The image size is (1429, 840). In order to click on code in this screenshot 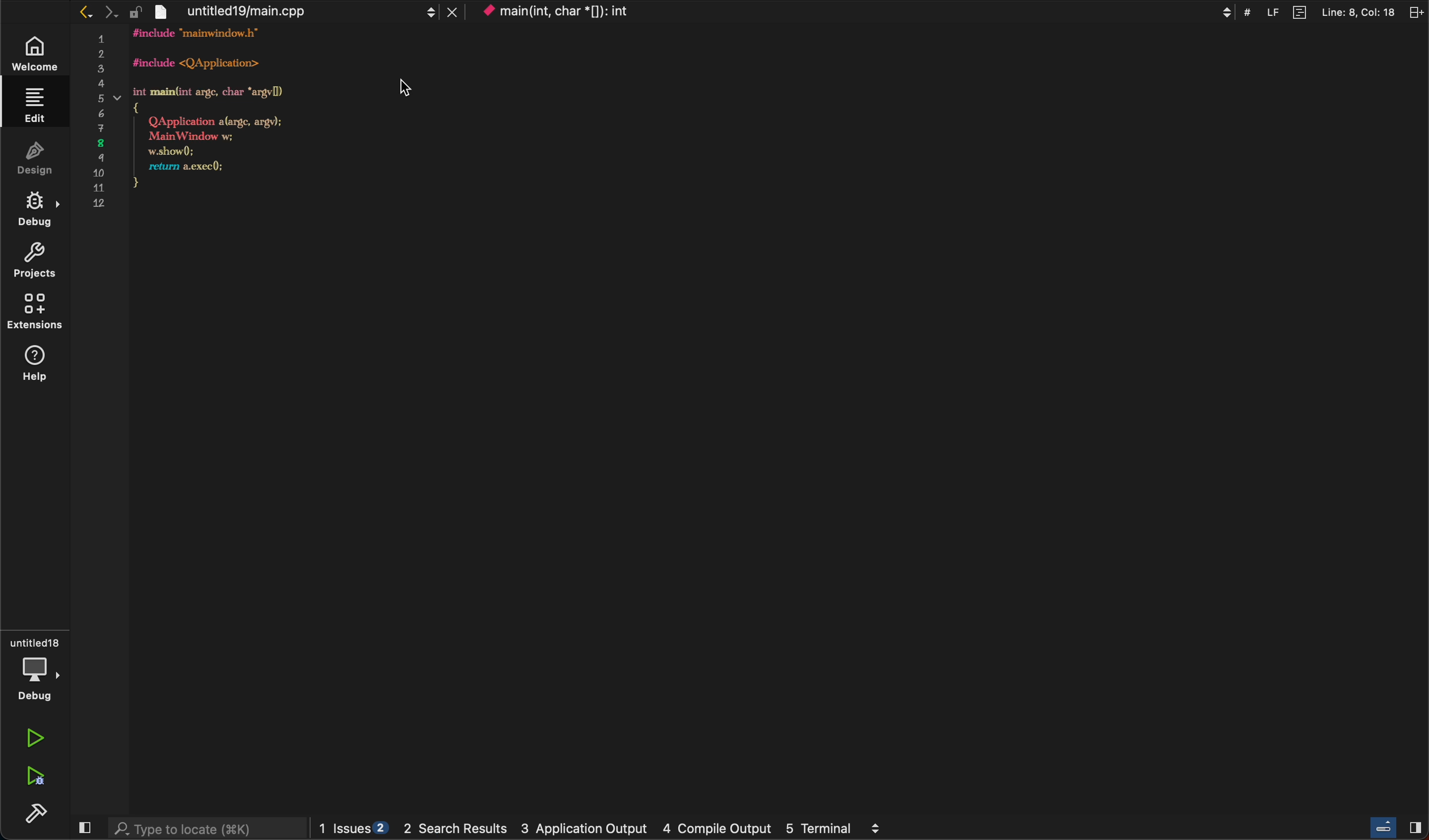, I will do `click(226, 122)`.